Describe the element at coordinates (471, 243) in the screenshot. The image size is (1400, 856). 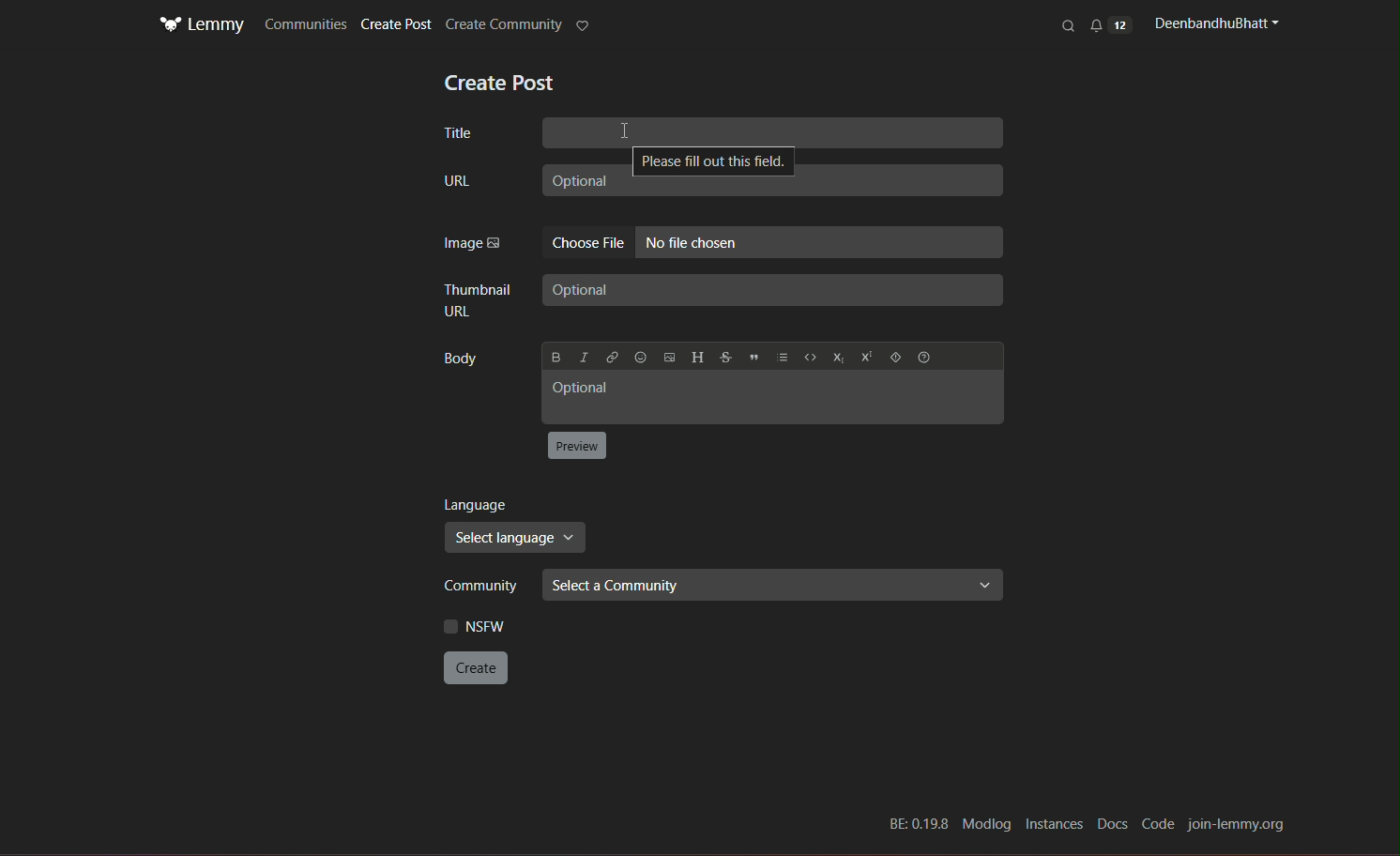
I see `Image` at that location.